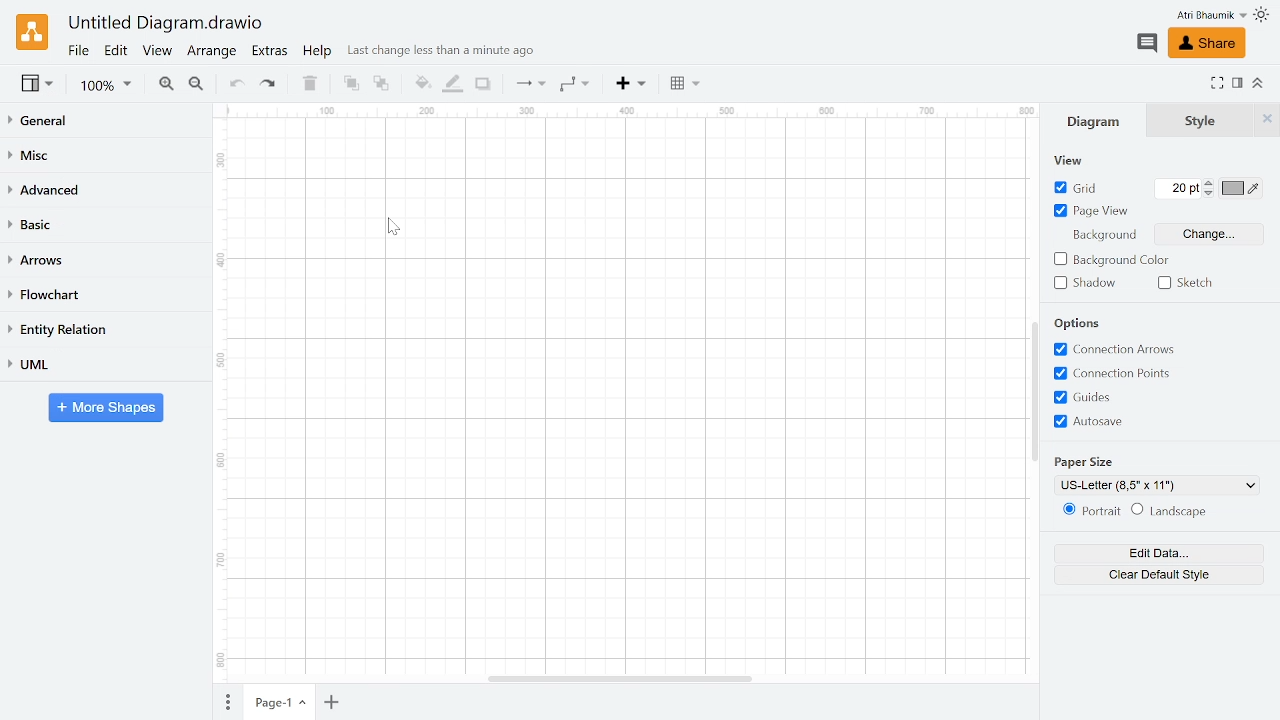 This screenshot has width=1280, height=720. What do you see at coordinates (1091, 212) in the screenshot?
I see `page view` at bounding box center [1091, 212].